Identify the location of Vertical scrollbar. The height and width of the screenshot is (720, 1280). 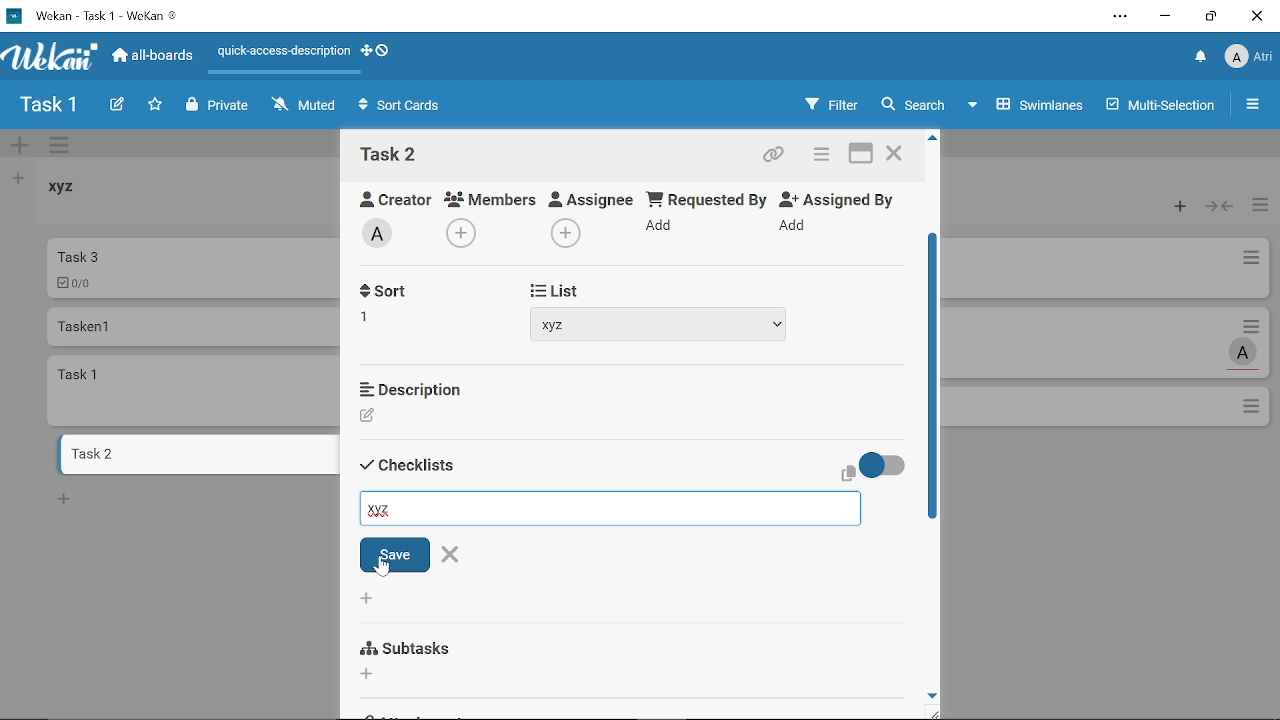
(935, 379).